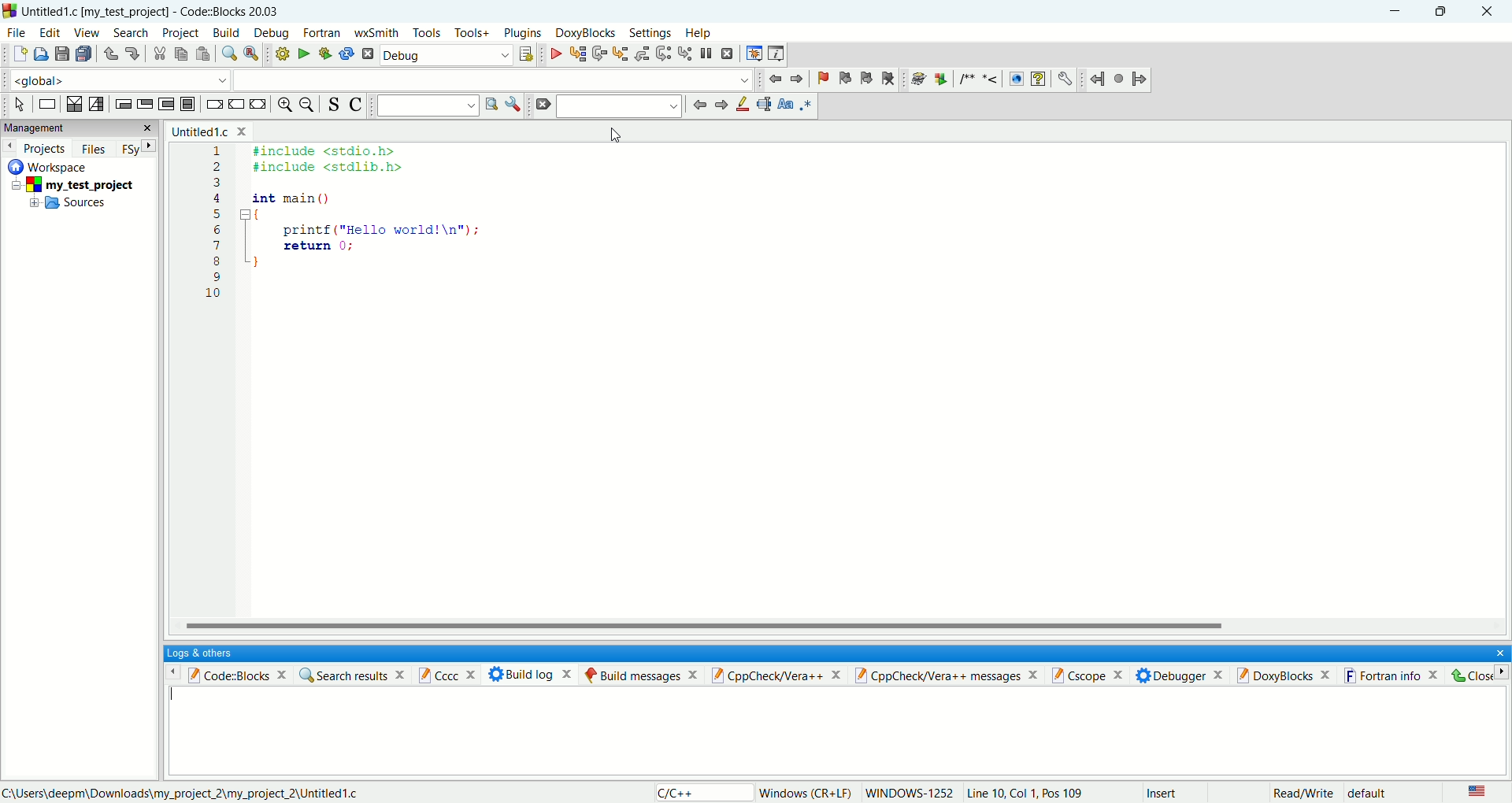 The height and width of the screenshot is (803, 1512). I want to click on find, so click(227, 54).